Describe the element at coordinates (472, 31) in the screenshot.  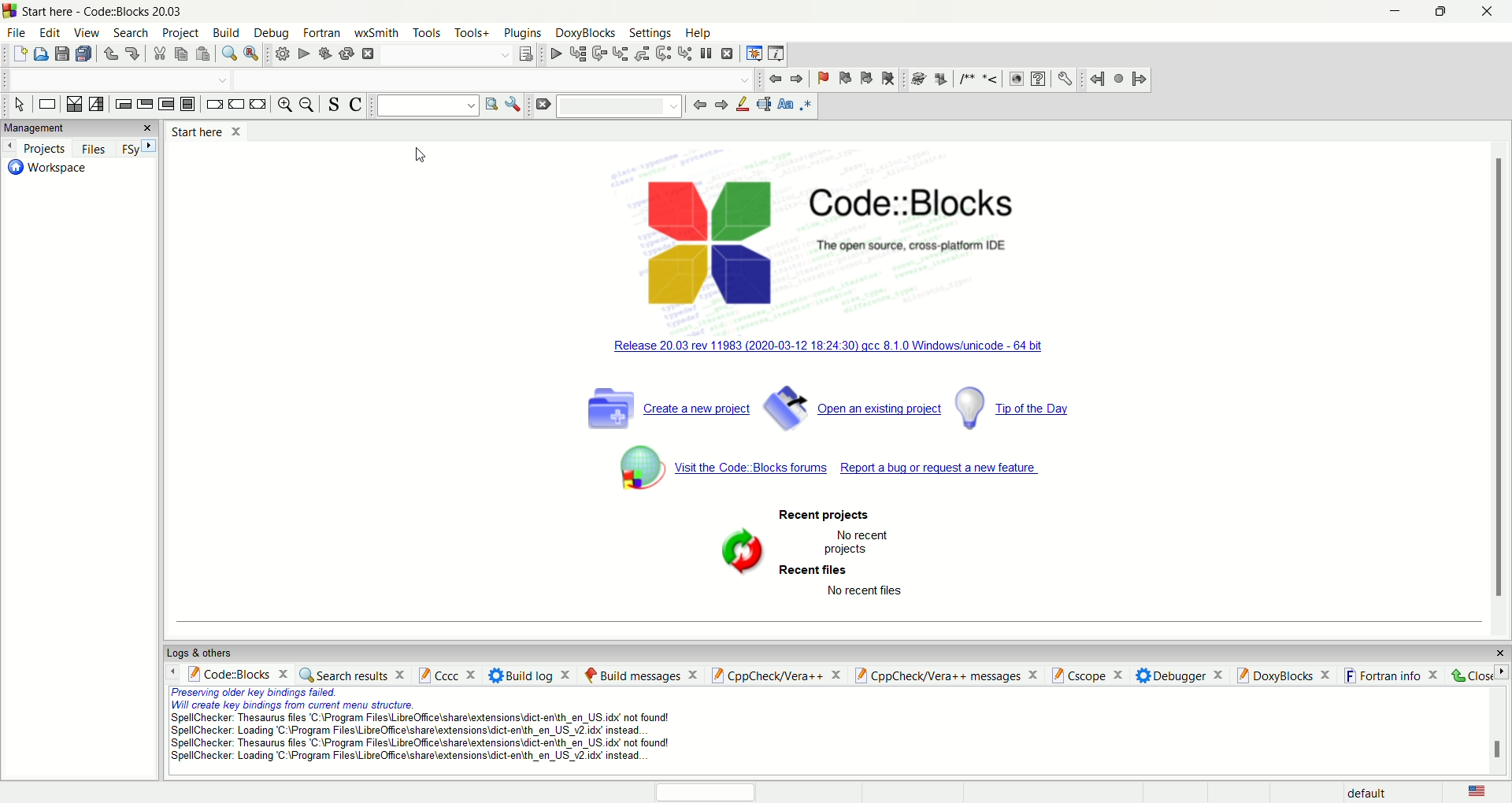
I see `tools+` at that location.